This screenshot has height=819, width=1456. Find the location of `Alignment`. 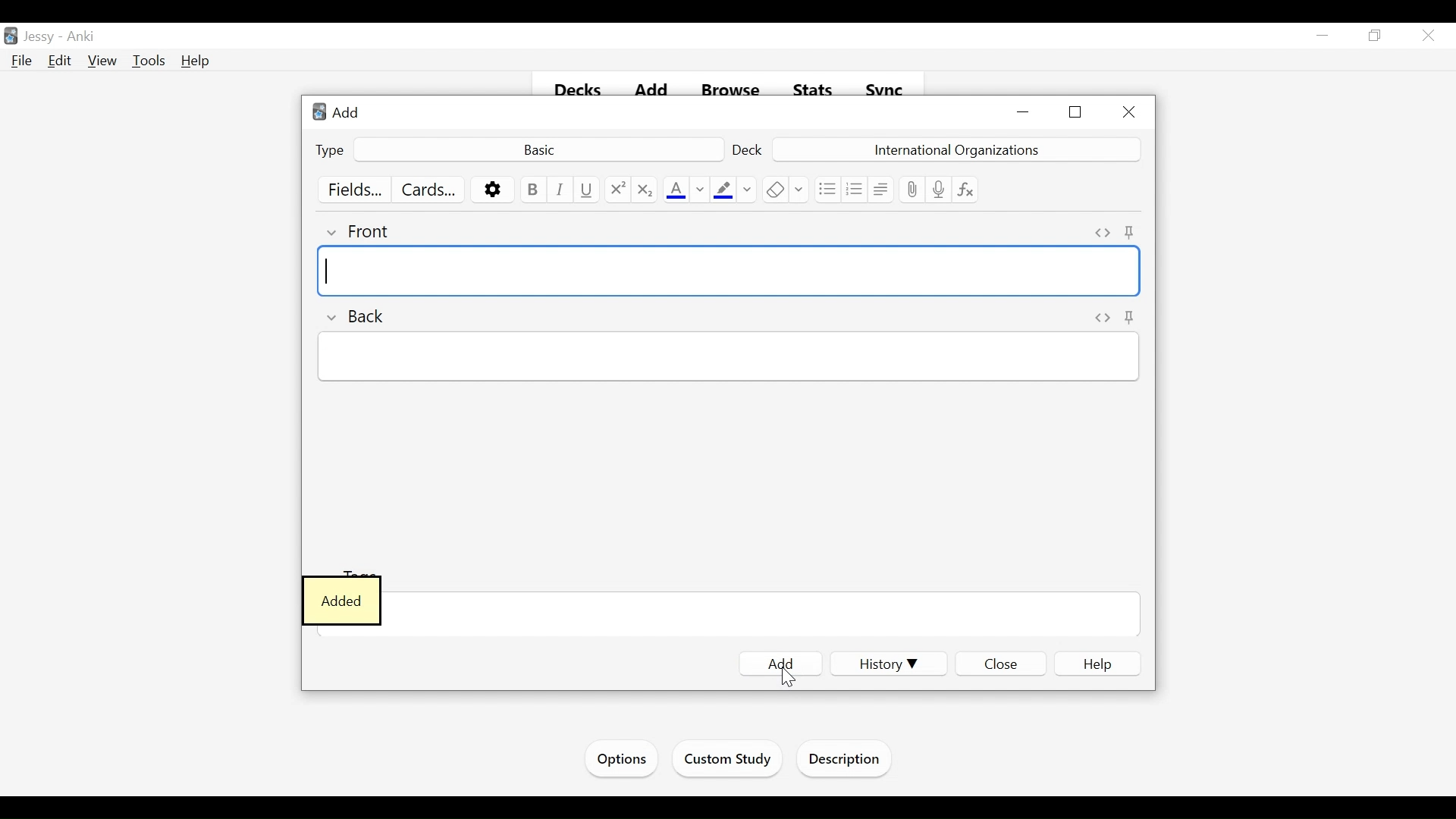

Alignment is located at coordinates (880, 188).